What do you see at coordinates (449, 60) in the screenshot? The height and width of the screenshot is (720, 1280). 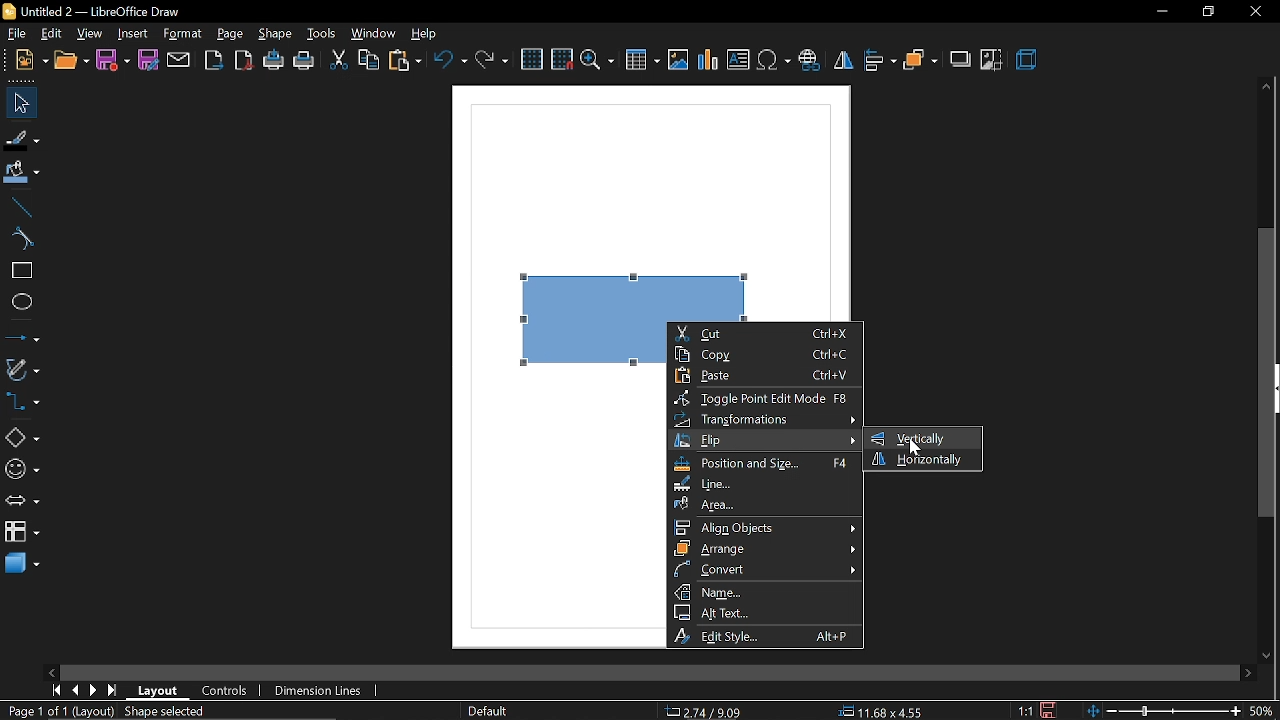 I see `undo` at bounding box center [449, 60].